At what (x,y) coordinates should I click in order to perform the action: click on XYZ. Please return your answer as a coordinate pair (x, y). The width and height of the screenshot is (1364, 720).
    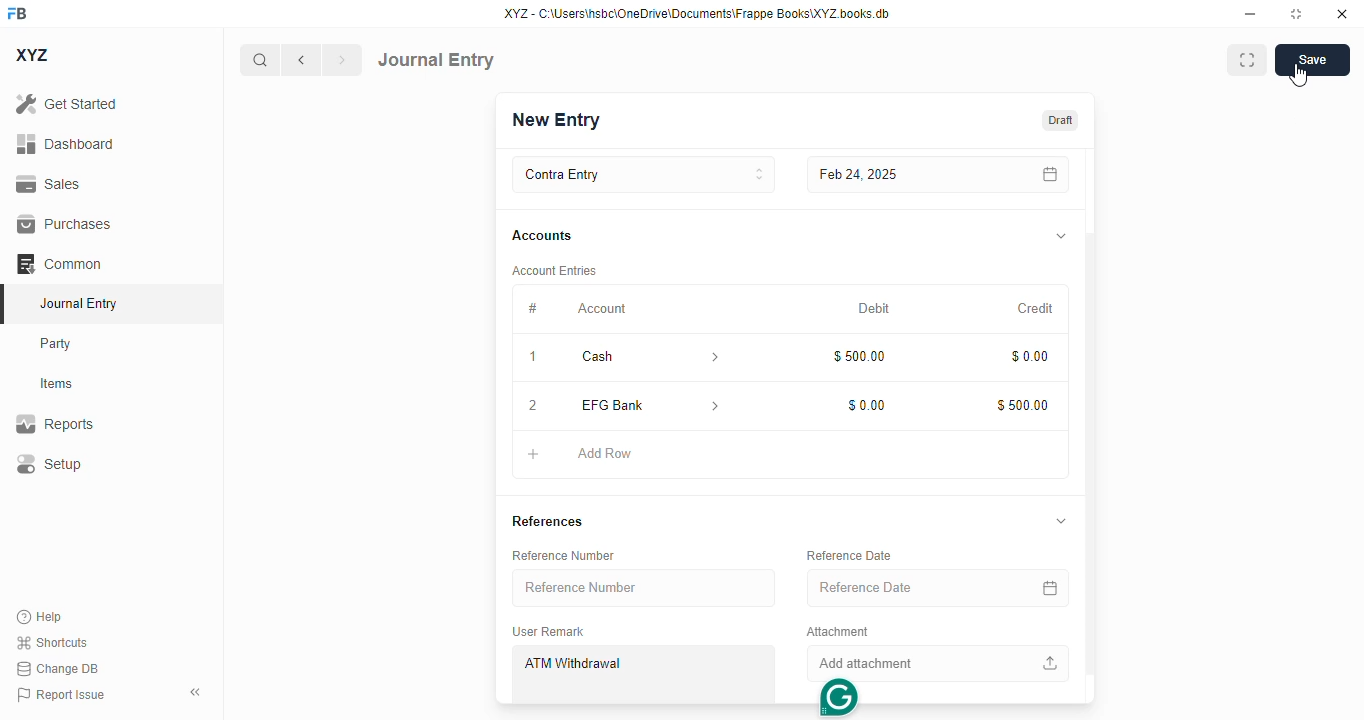
    Looking at the image, I should click on (31, 55).